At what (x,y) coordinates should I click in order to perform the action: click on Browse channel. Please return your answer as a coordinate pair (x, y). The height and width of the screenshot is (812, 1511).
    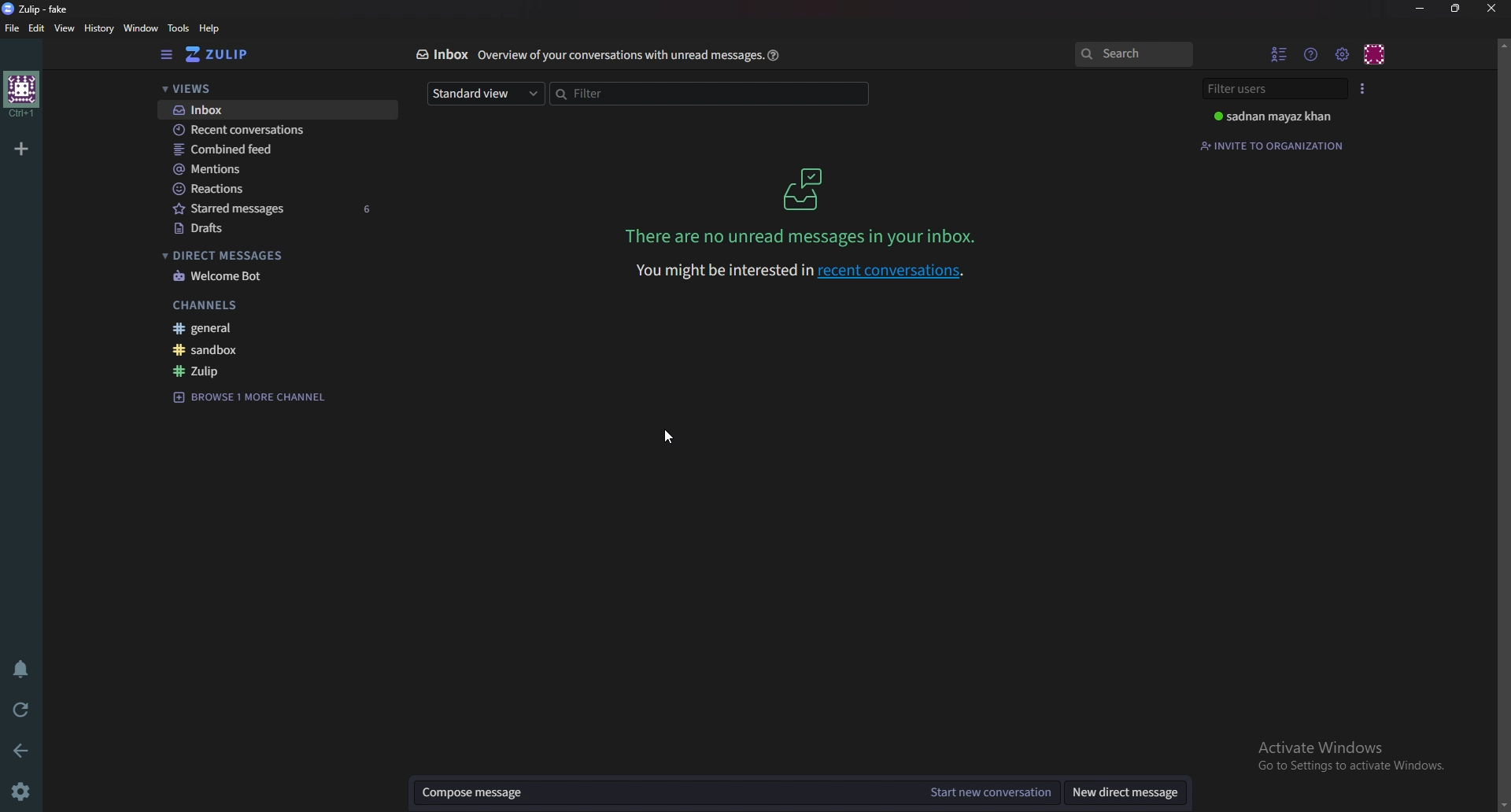
    Looking at the image, I should click on (255, 397).